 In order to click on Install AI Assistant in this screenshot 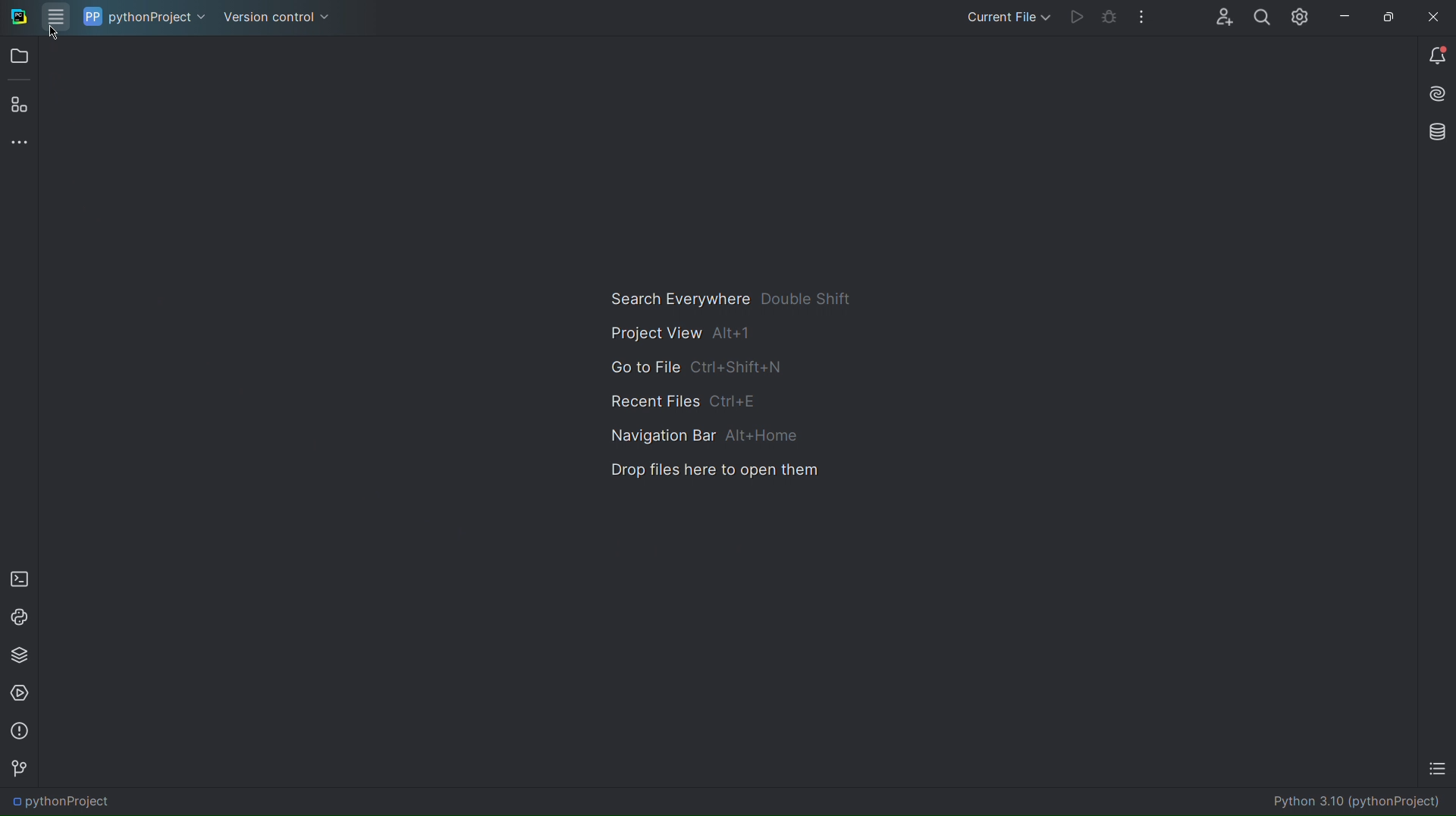, I will do `click(1435, 96)`.